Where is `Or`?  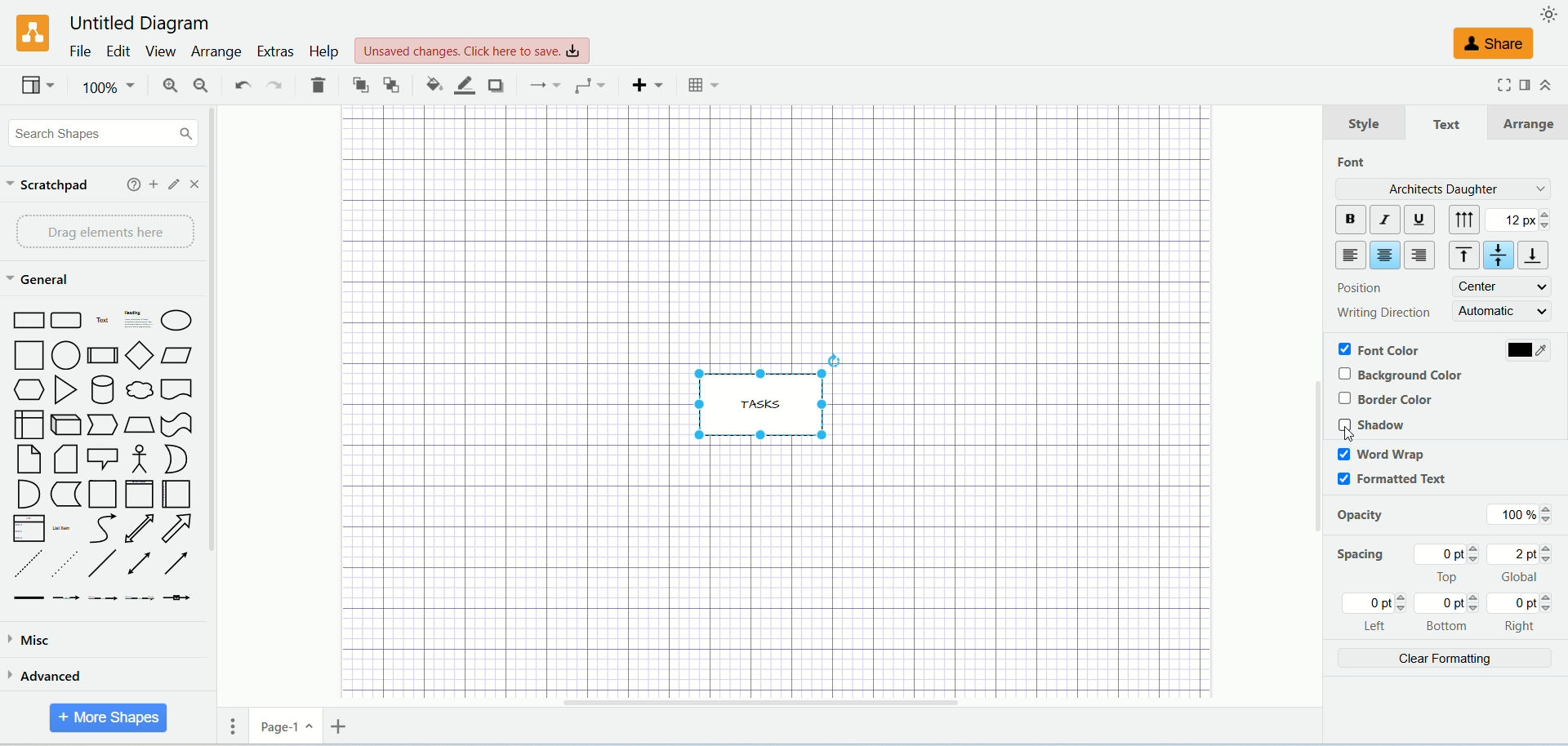 Or is located at coordinates (174, 459).